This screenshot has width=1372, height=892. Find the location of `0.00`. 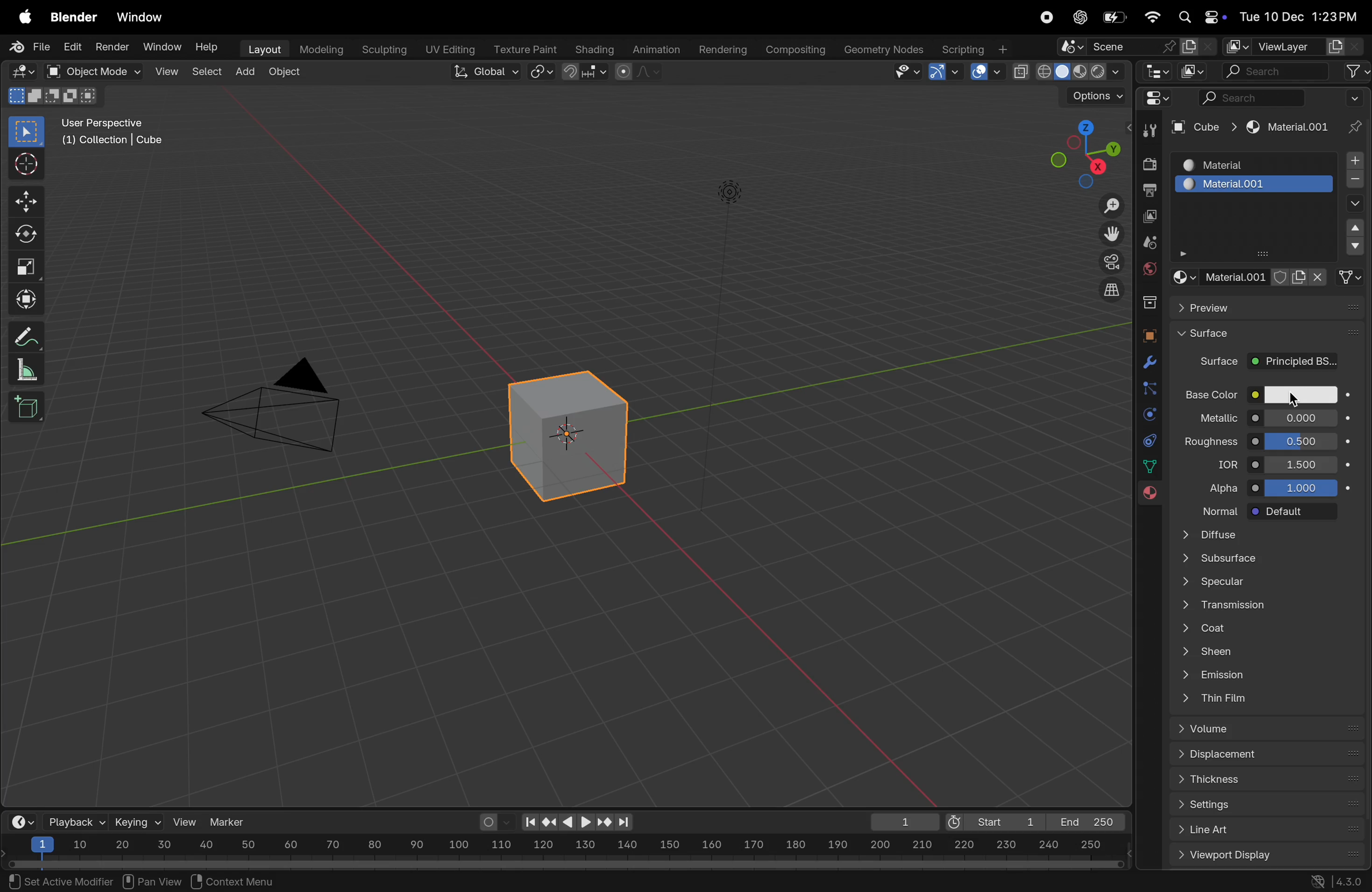

0.00 is located at coordinates (1301, 417).